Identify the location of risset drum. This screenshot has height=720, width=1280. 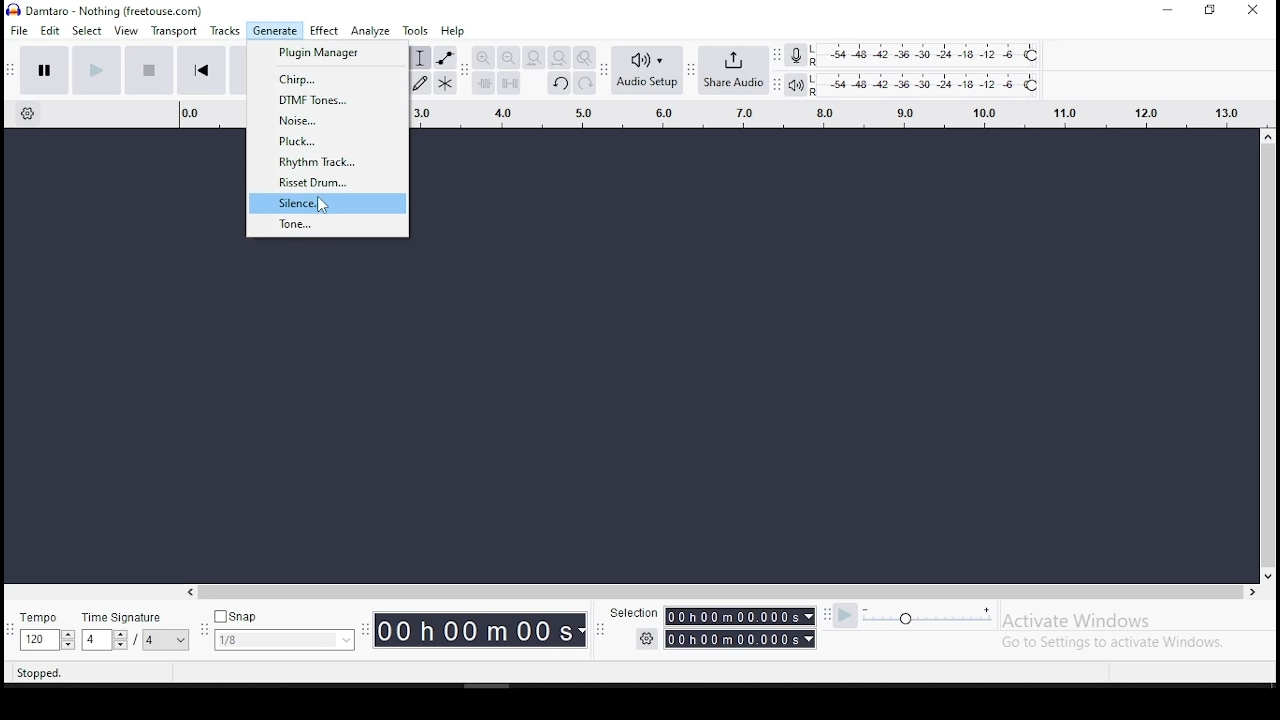
(328, 181).